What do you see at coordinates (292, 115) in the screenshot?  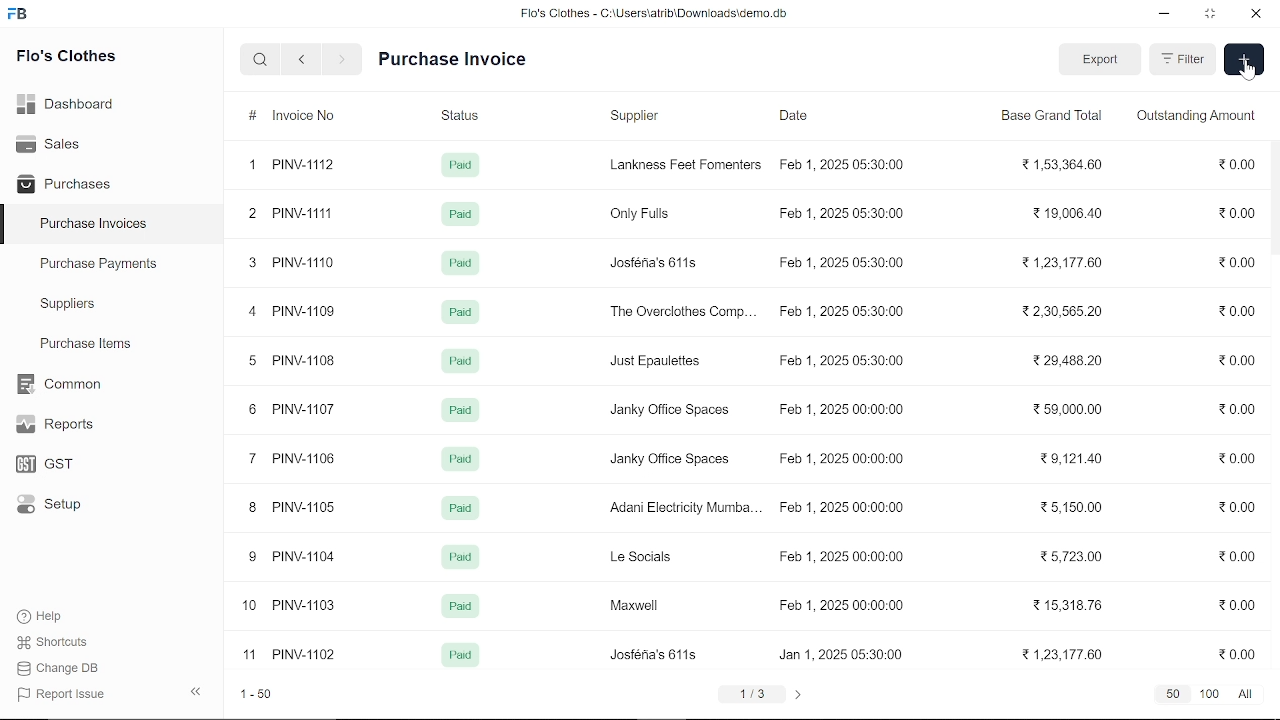 I see `Invoice No` at bounding box center [292, 115].